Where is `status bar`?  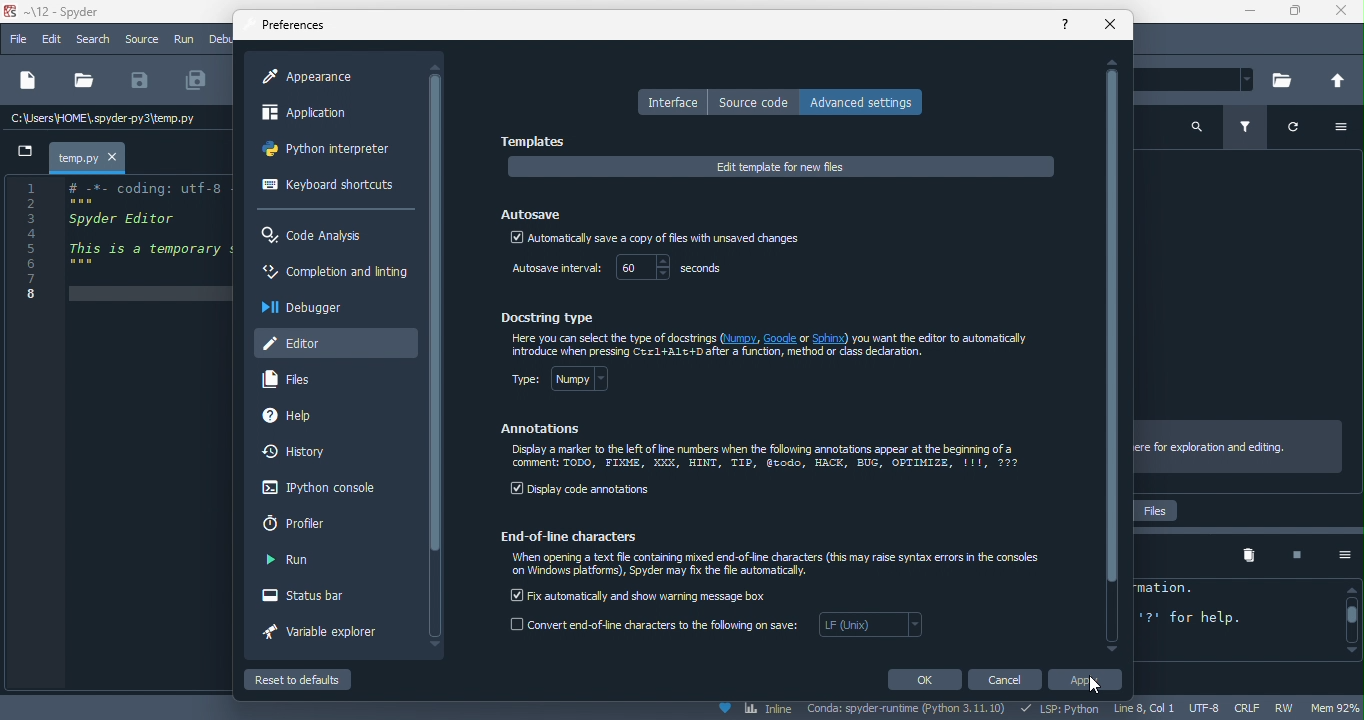 status bar is located at coordinates (316, 597).